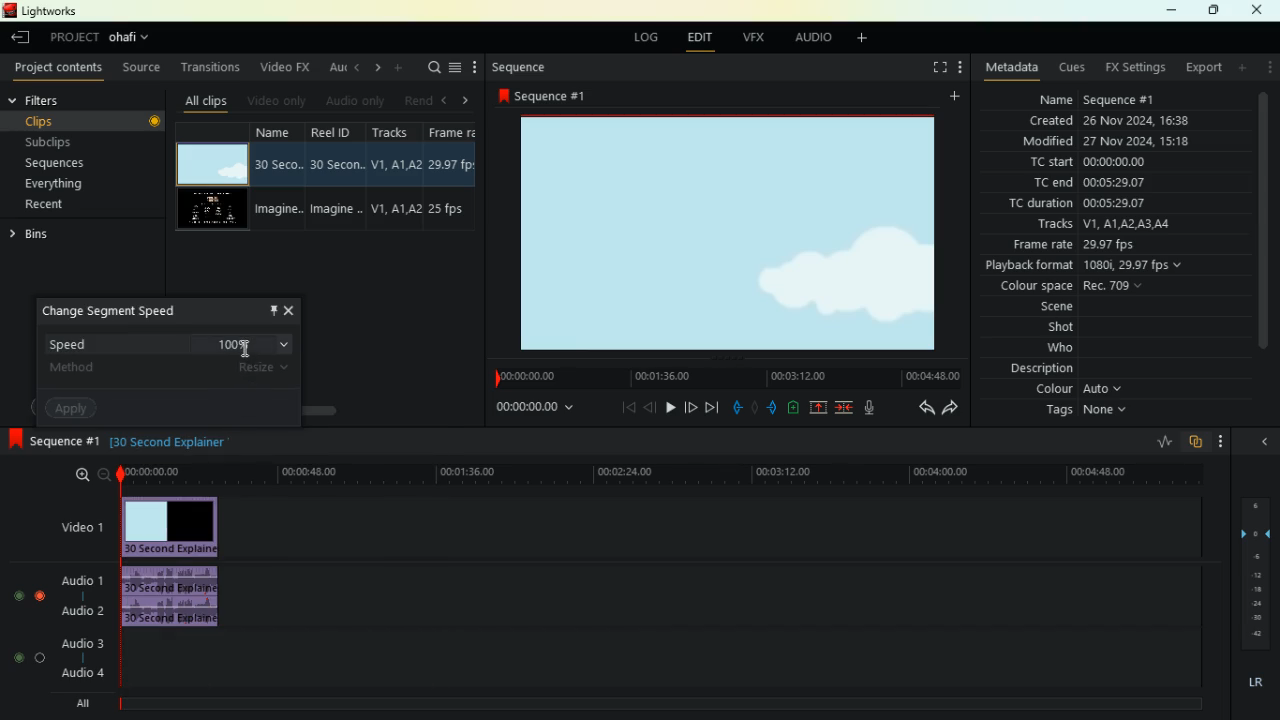  What do you see at coordinates (758, 37) in the screenshot?
I see `vfx` at bounding box center [758, 37].